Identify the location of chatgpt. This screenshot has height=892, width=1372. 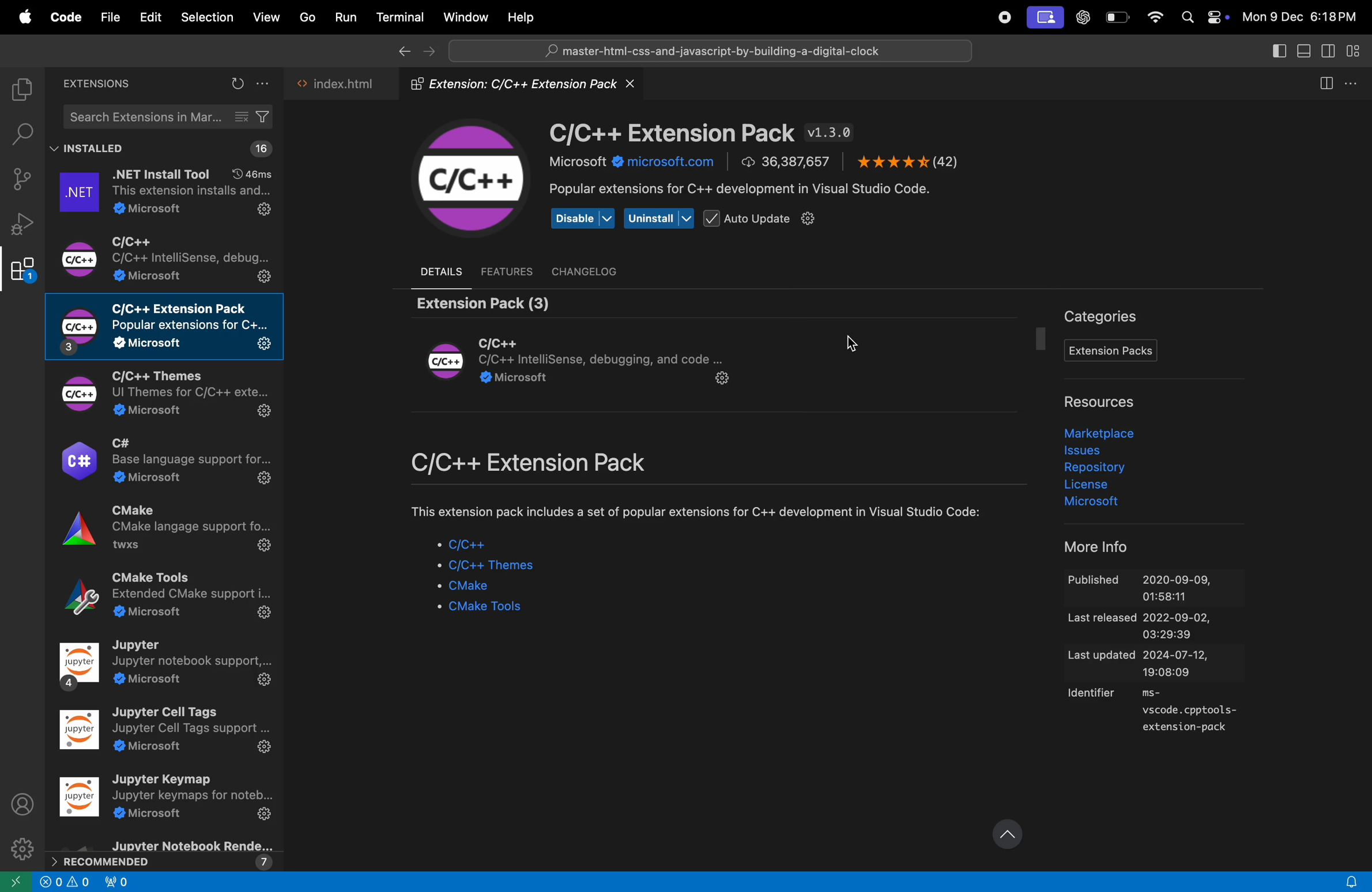
(1084, 18).